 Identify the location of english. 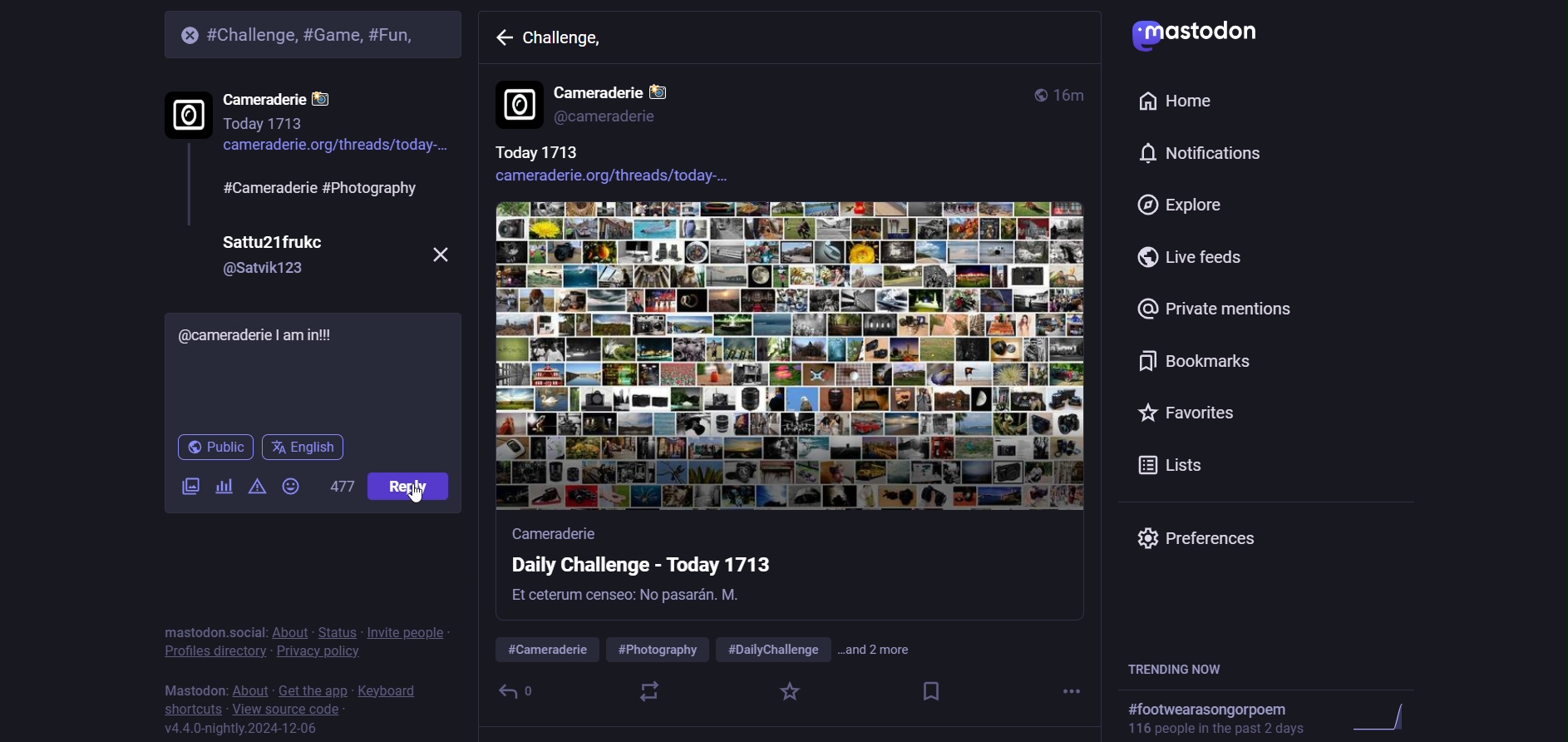
(308, 444).